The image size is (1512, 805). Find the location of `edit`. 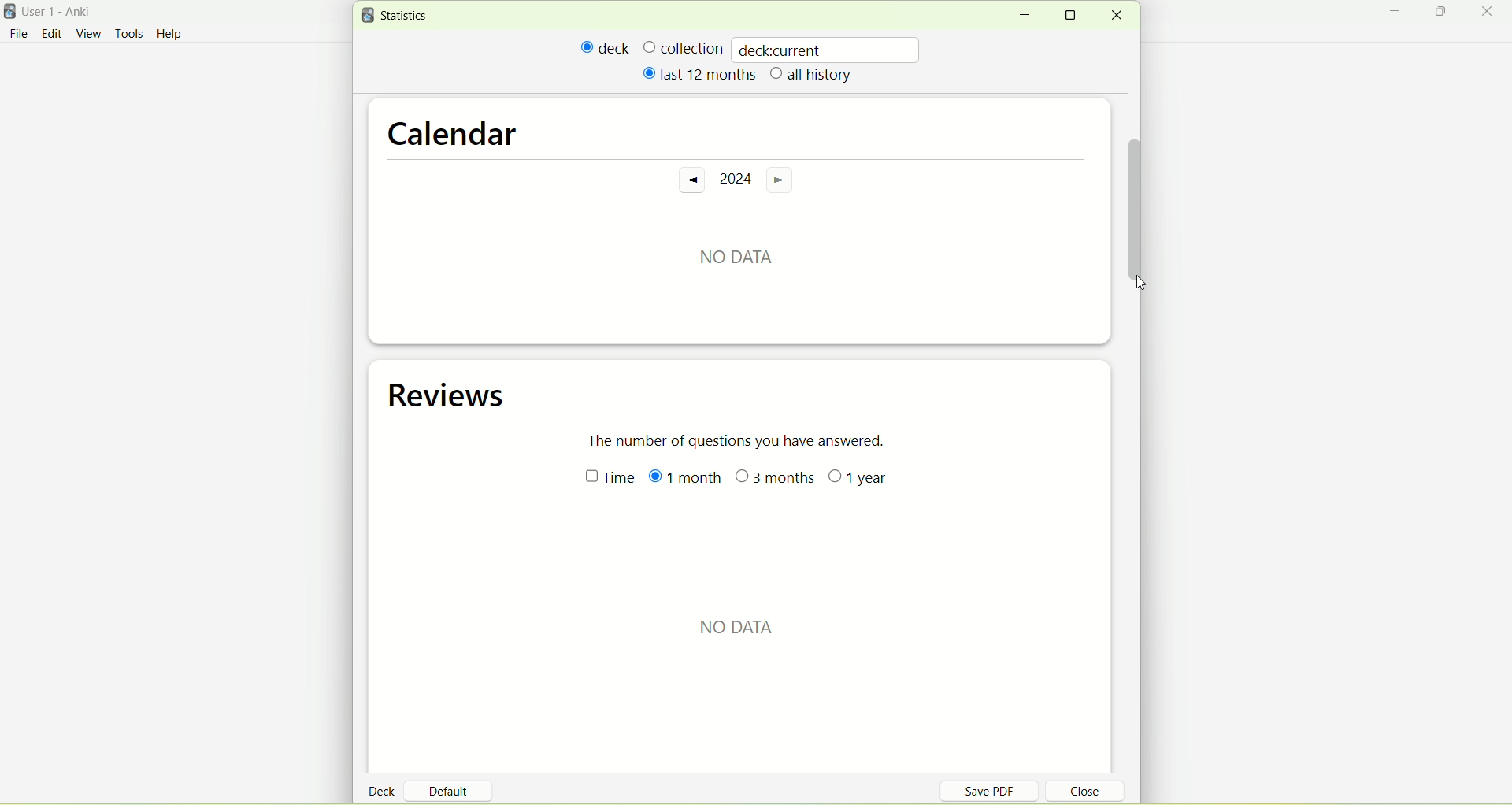

edit is located at coordinates (51, 33).